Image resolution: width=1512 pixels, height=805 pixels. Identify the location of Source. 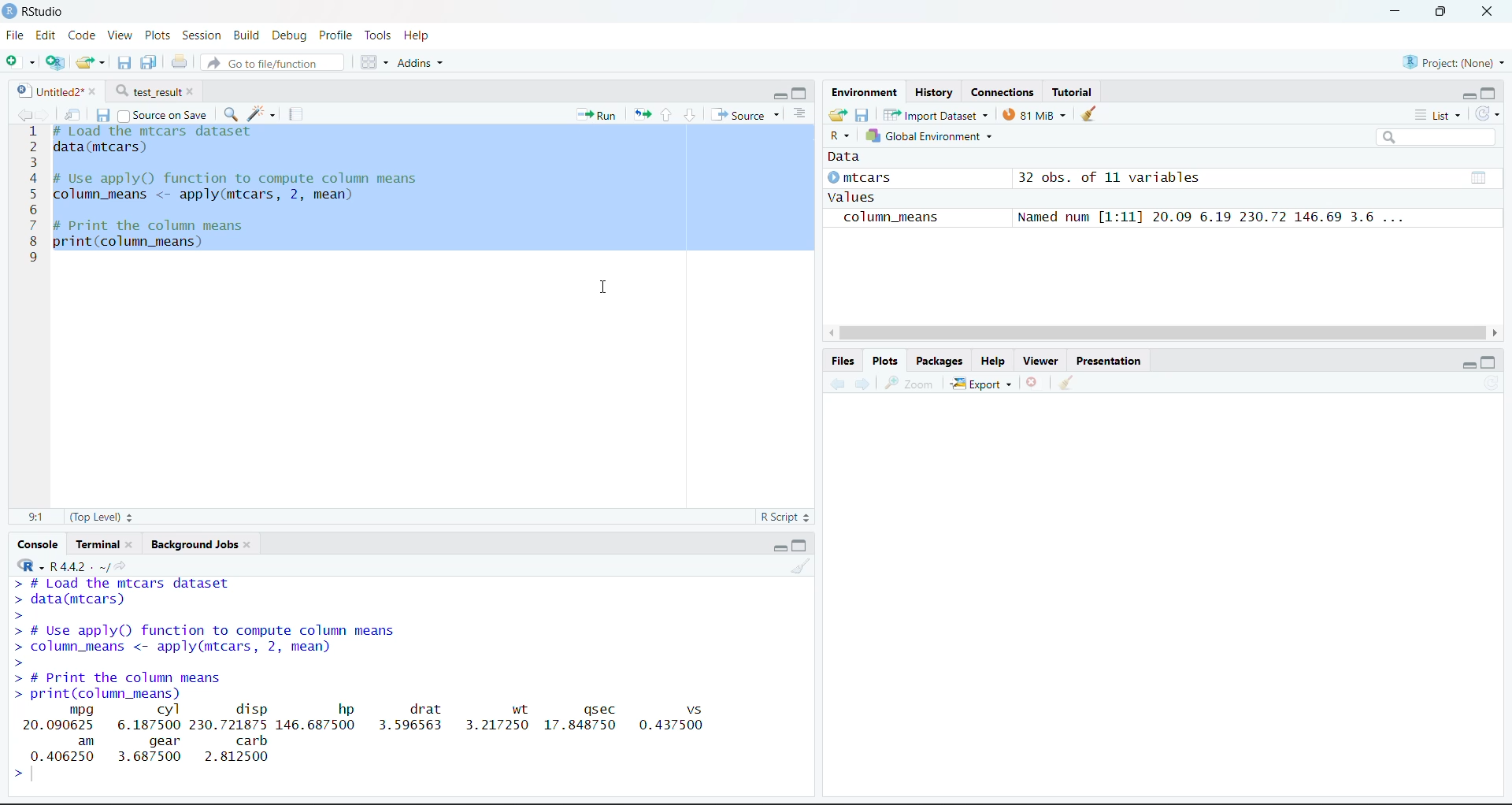
(744, 114).